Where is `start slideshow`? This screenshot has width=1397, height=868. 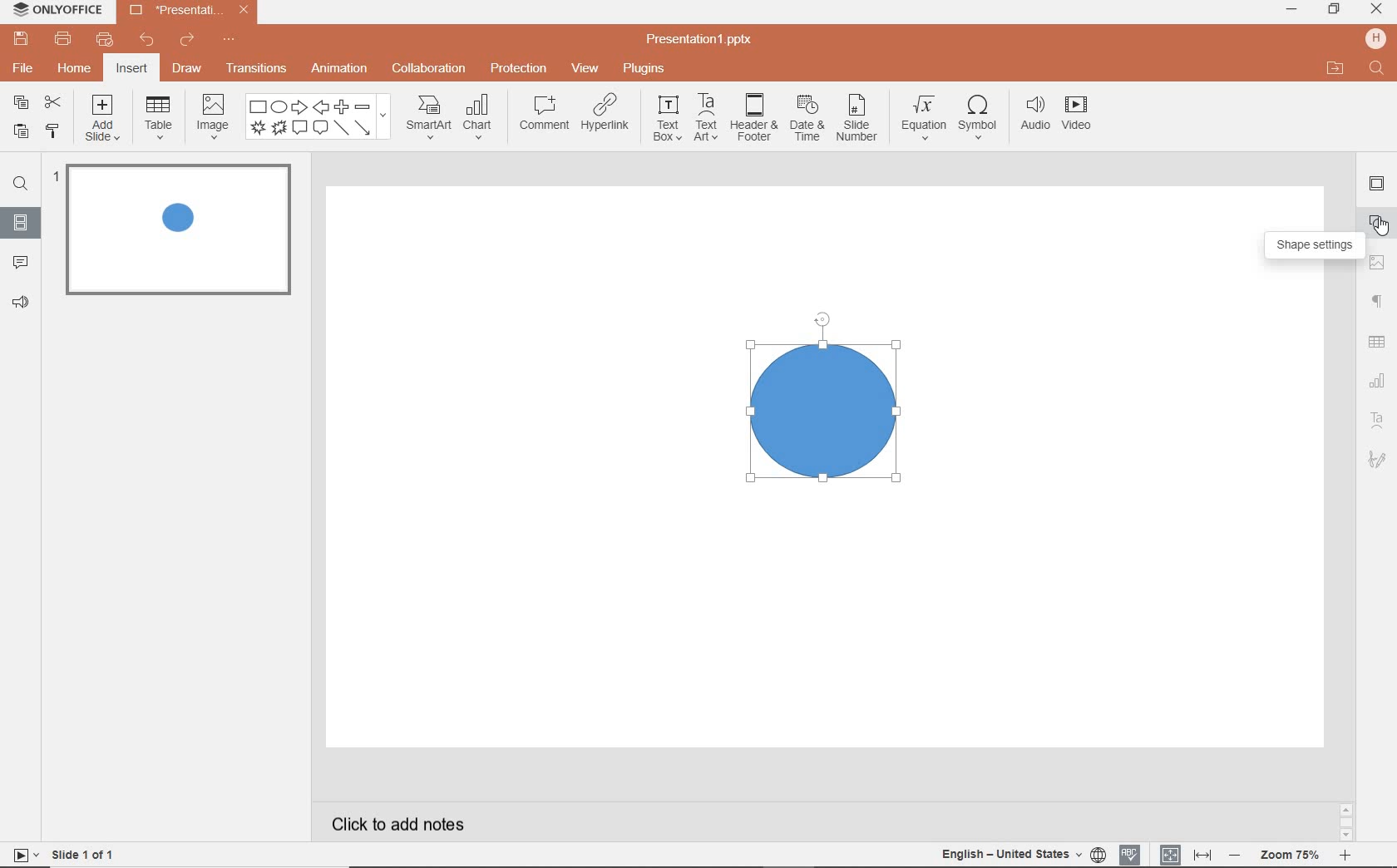 start slideshow is located at coordinates (22, 855).